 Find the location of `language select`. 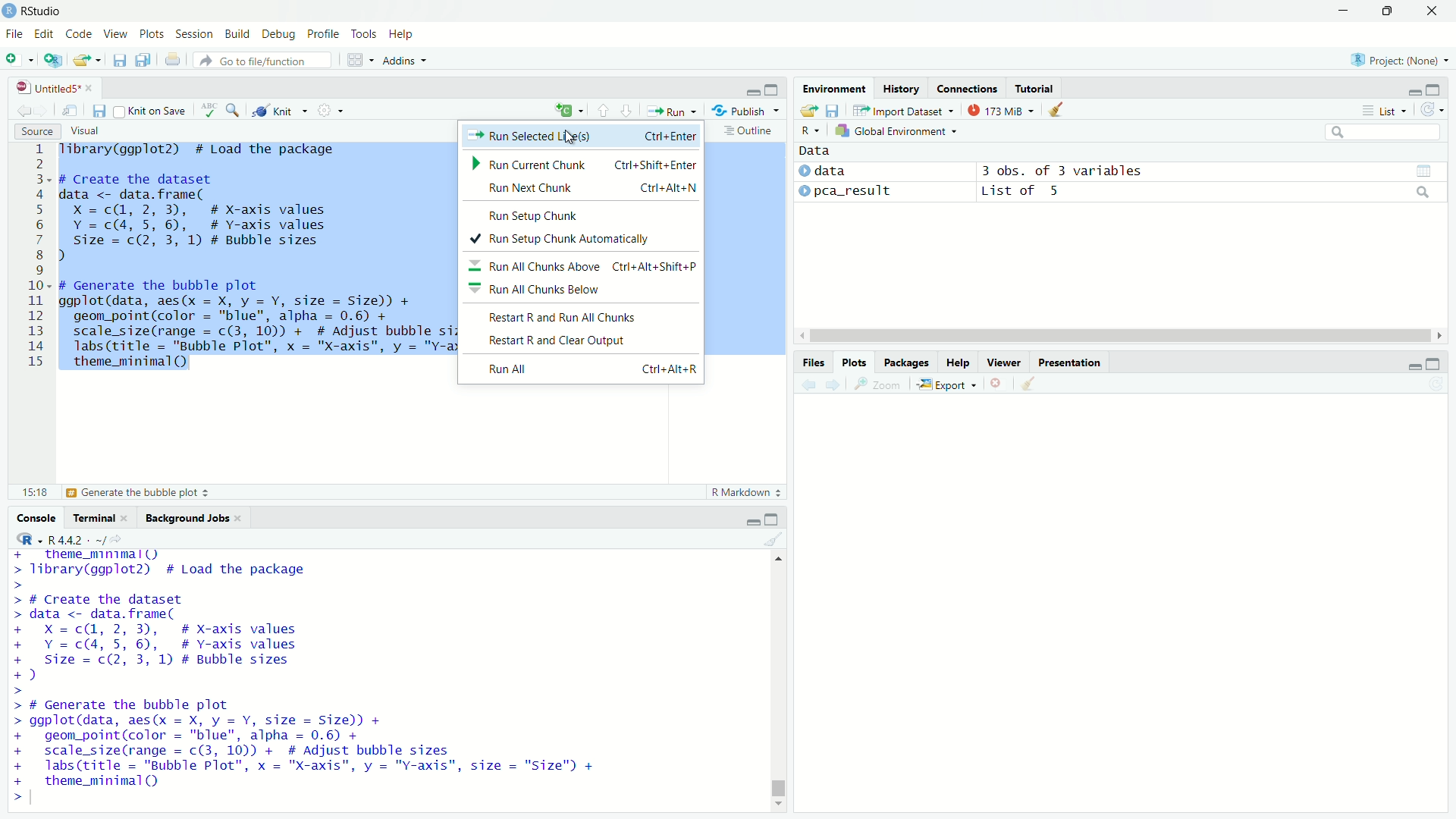

language select is located at coordinates (567, 111).